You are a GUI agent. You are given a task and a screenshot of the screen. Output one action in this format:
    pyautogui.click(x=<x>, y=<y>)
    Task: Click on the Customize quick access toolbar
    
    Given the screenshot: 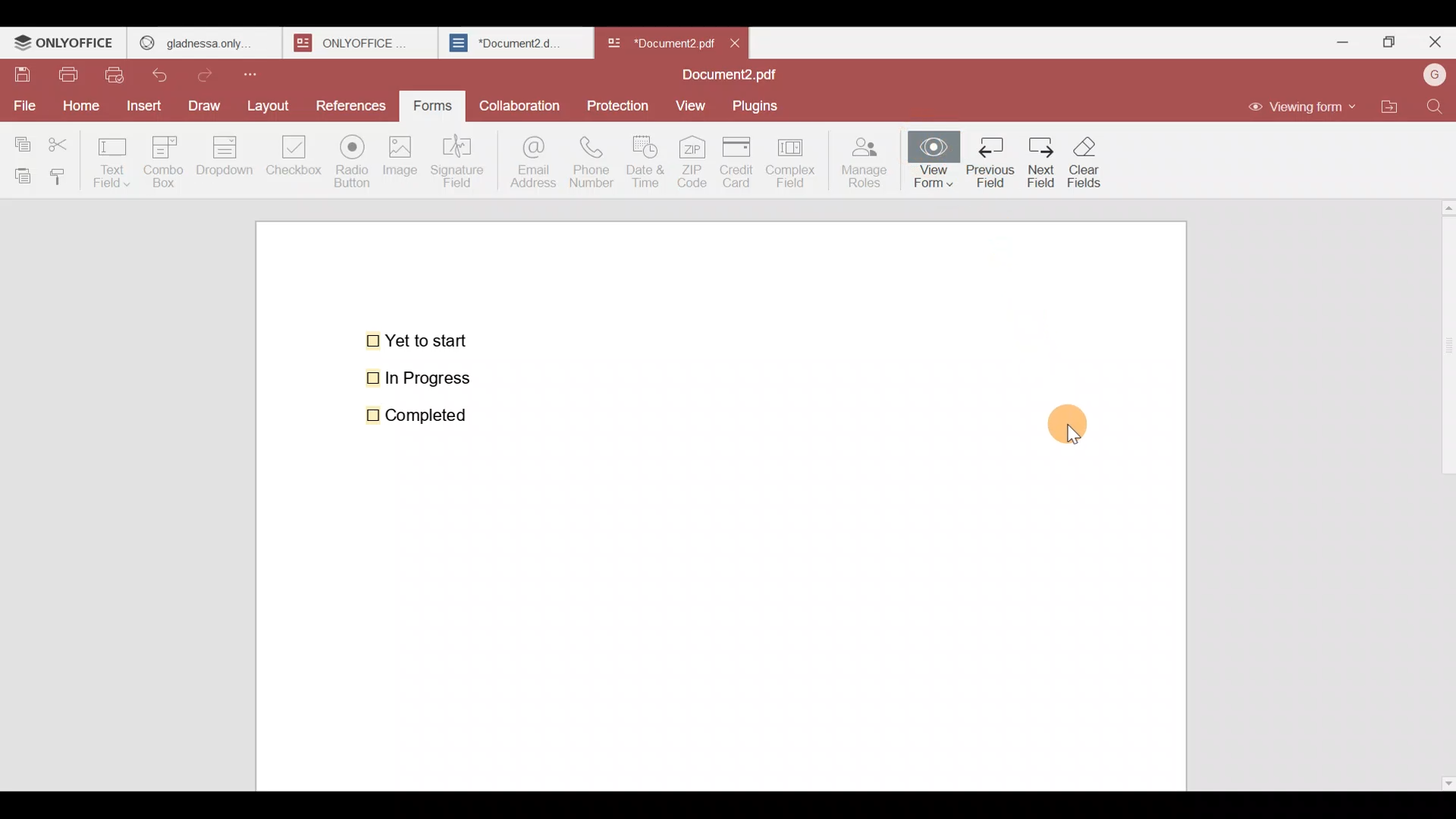 What is the action you would take?
    pyautogui.click(x=263, y=71)
    